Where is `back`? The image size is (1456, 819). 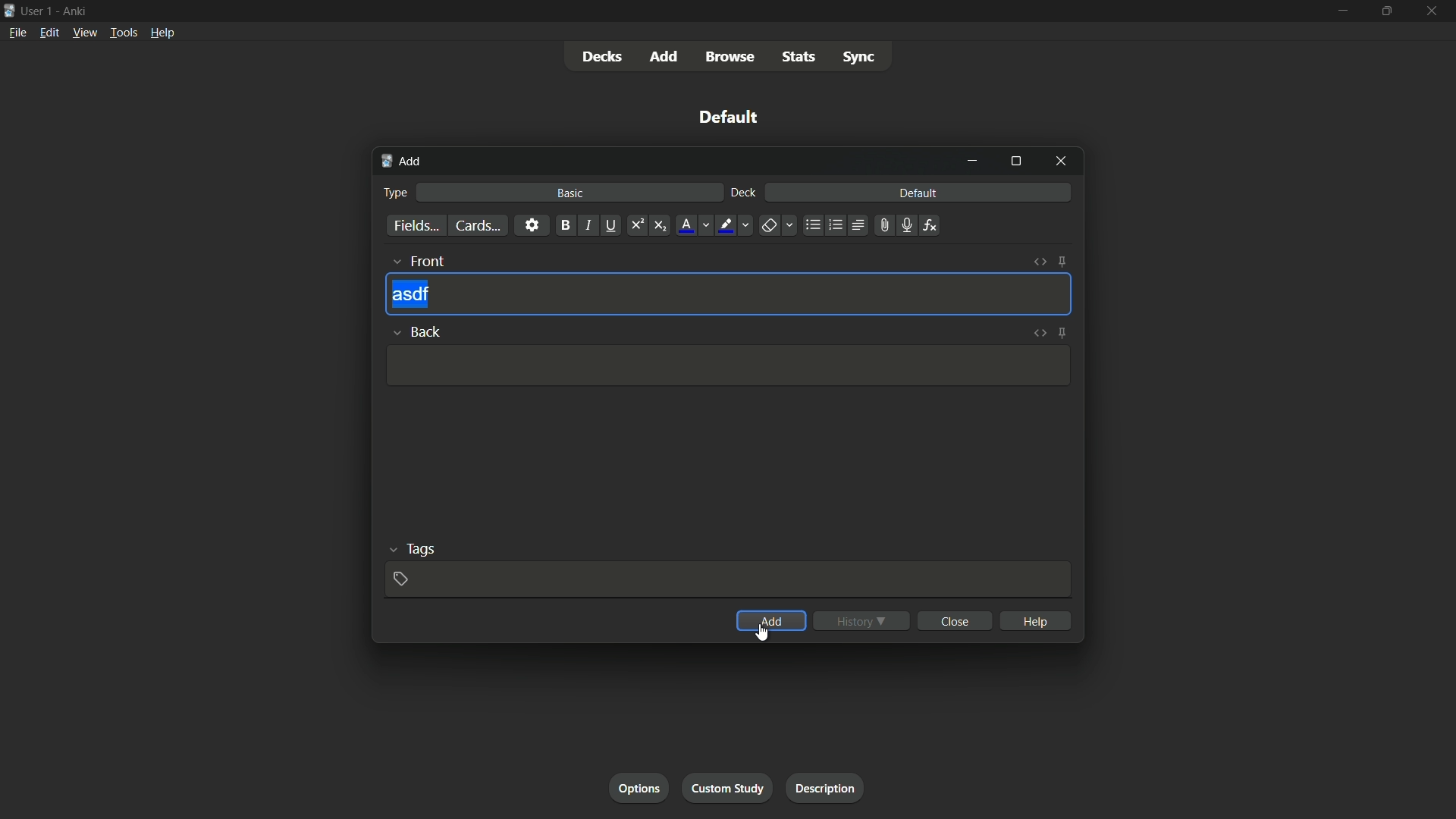
back is located at coordinates (416, 330).